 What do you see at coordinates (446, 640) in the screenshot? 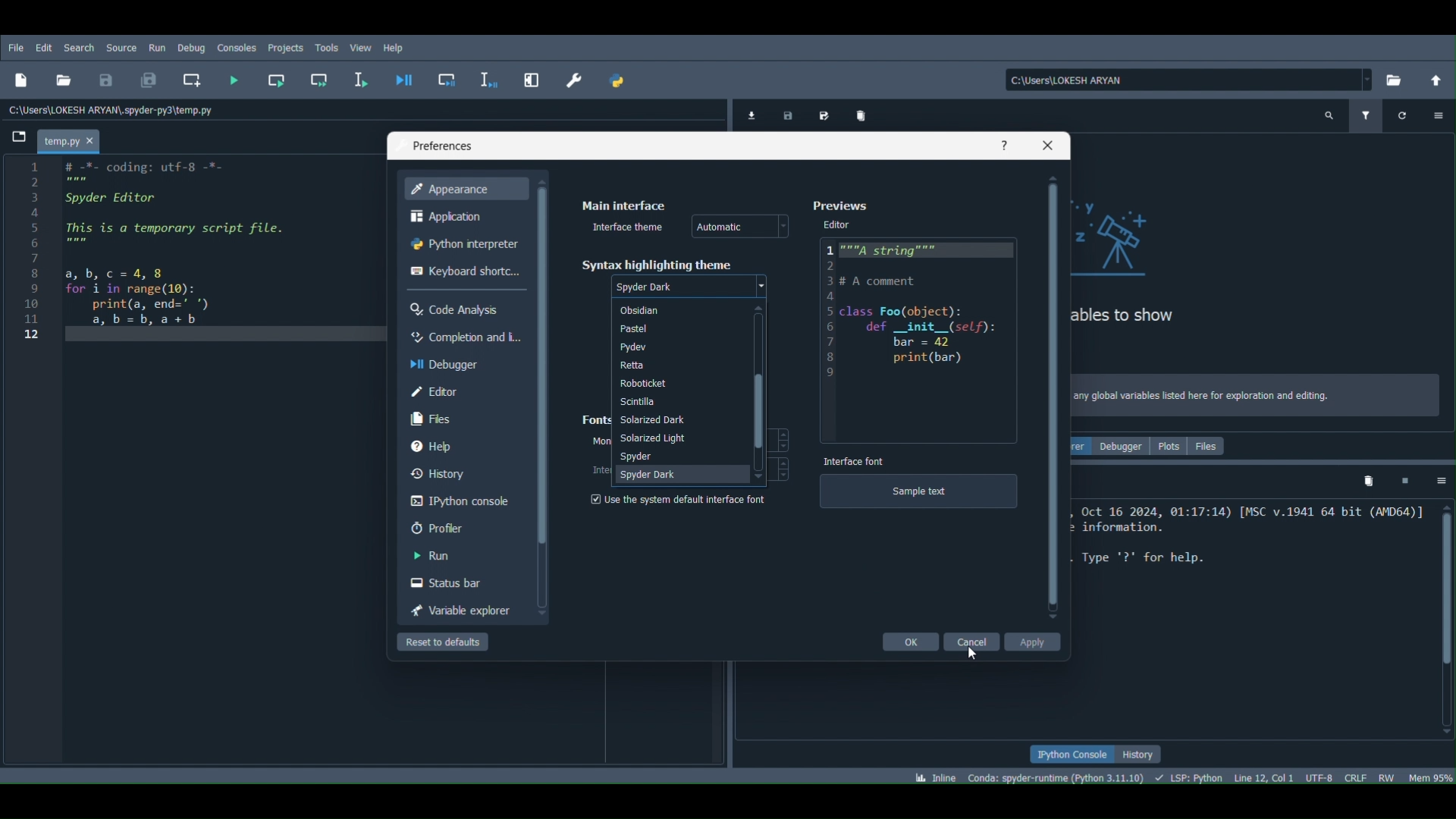
I see `Reset to defaults` at bounding box center [446, 640].